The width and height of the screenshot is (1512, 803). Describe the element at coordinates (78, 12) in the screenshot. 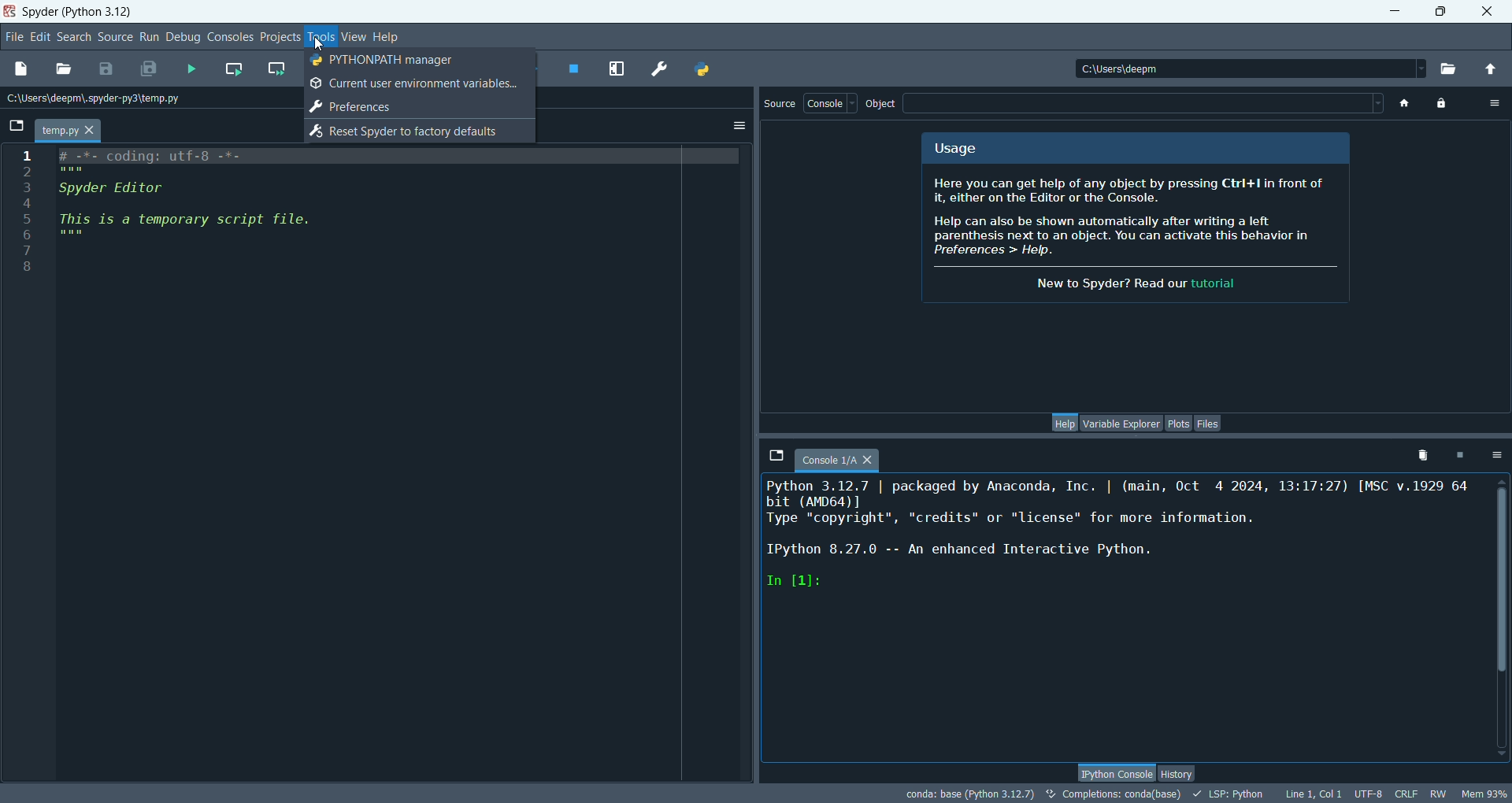

I see `Spyder` at that location.